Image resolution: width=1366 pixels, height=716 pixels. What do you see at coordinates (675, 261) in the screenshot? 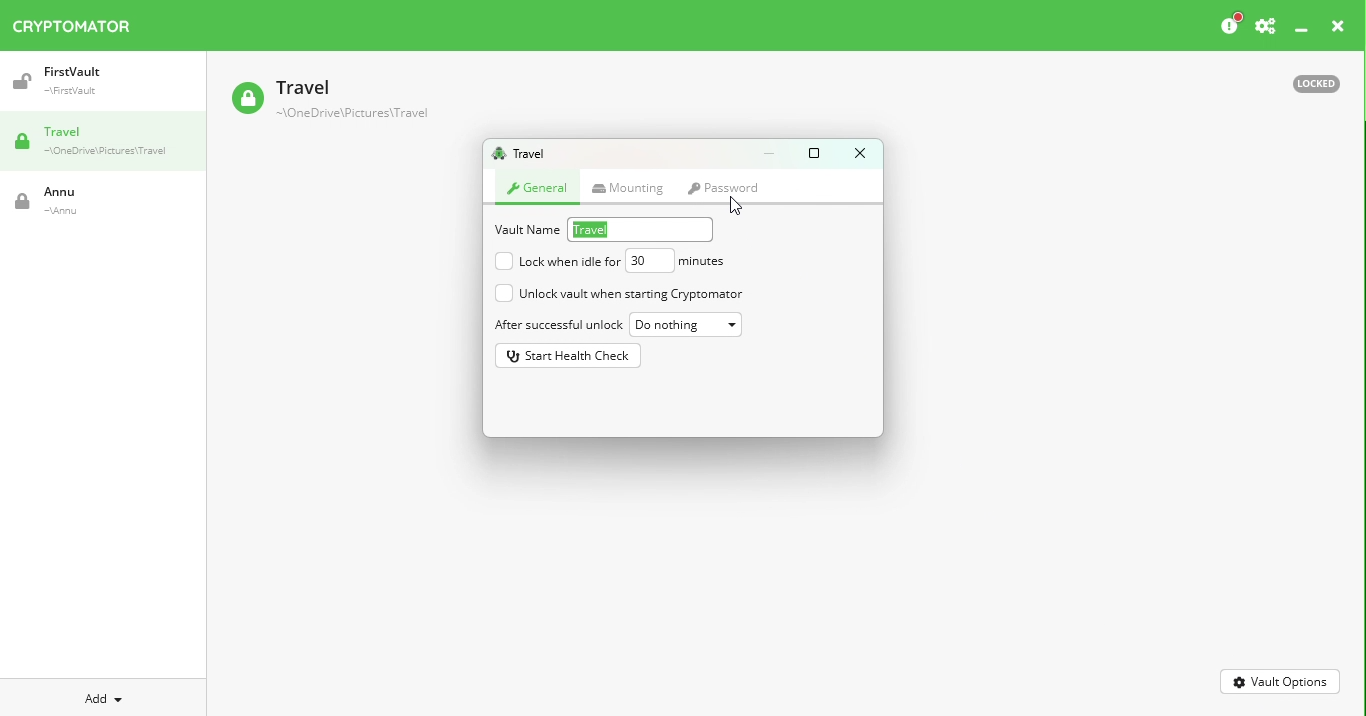
I see `Duration` at bounding box center [675, 261].